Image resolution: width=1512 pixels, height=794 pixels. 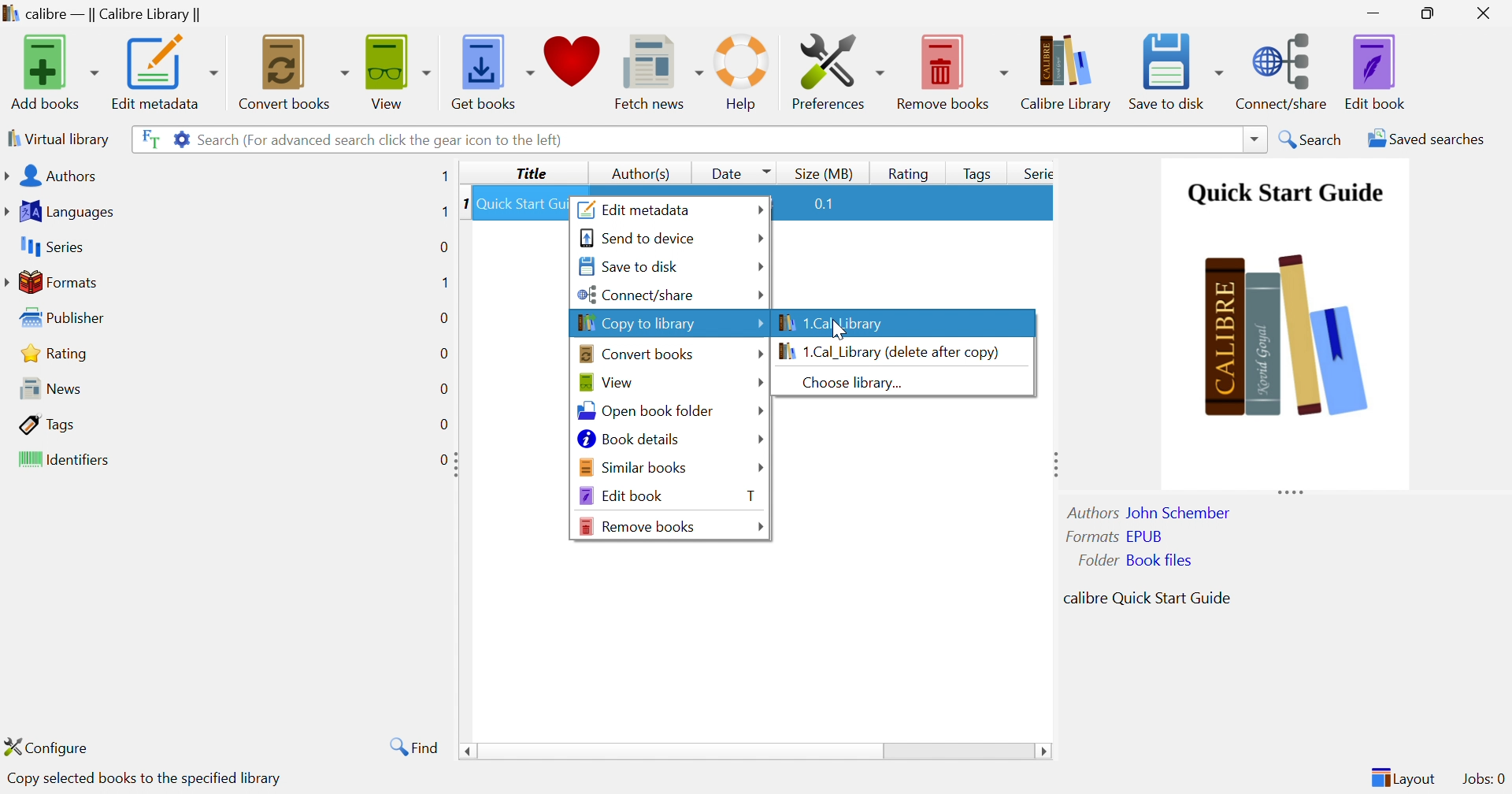 What do you see at coordinates (293, 70) in the screenshot?
I see `Convert books` at bounding box center [293, 70].